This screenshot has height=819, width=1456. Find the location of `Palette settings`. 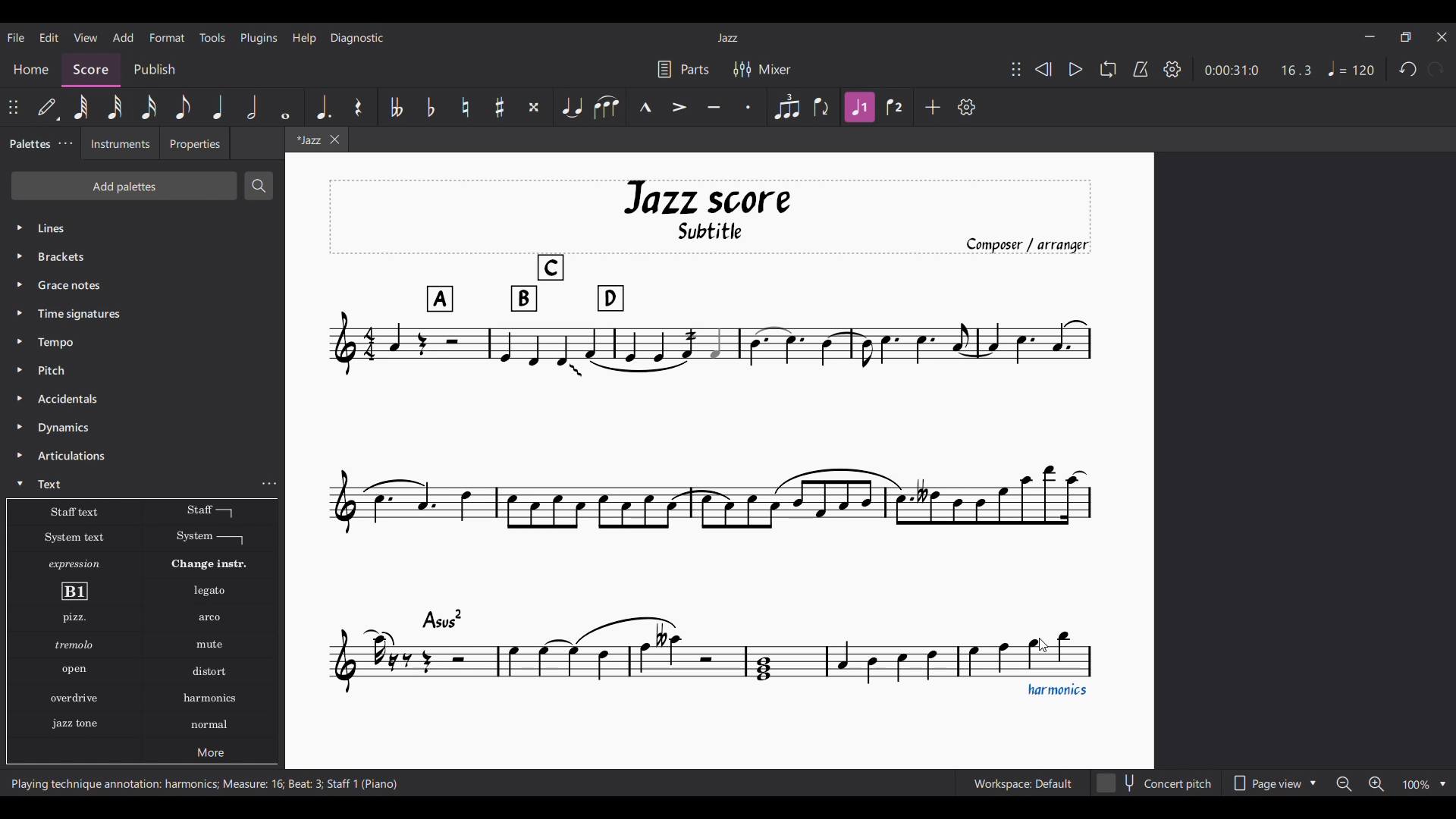

Palette settings is located at coordinates (65, 143).